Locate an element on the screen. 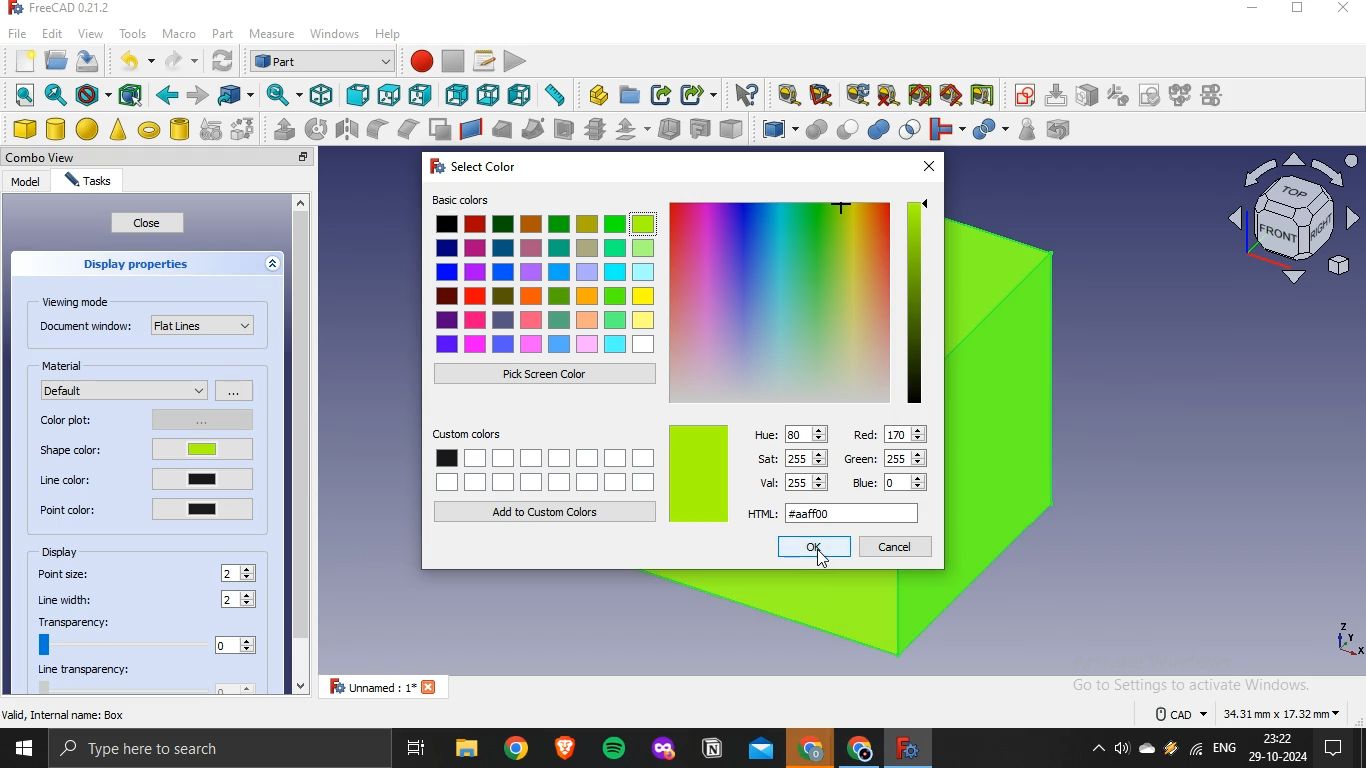  display is located at coordinates (63, 552).